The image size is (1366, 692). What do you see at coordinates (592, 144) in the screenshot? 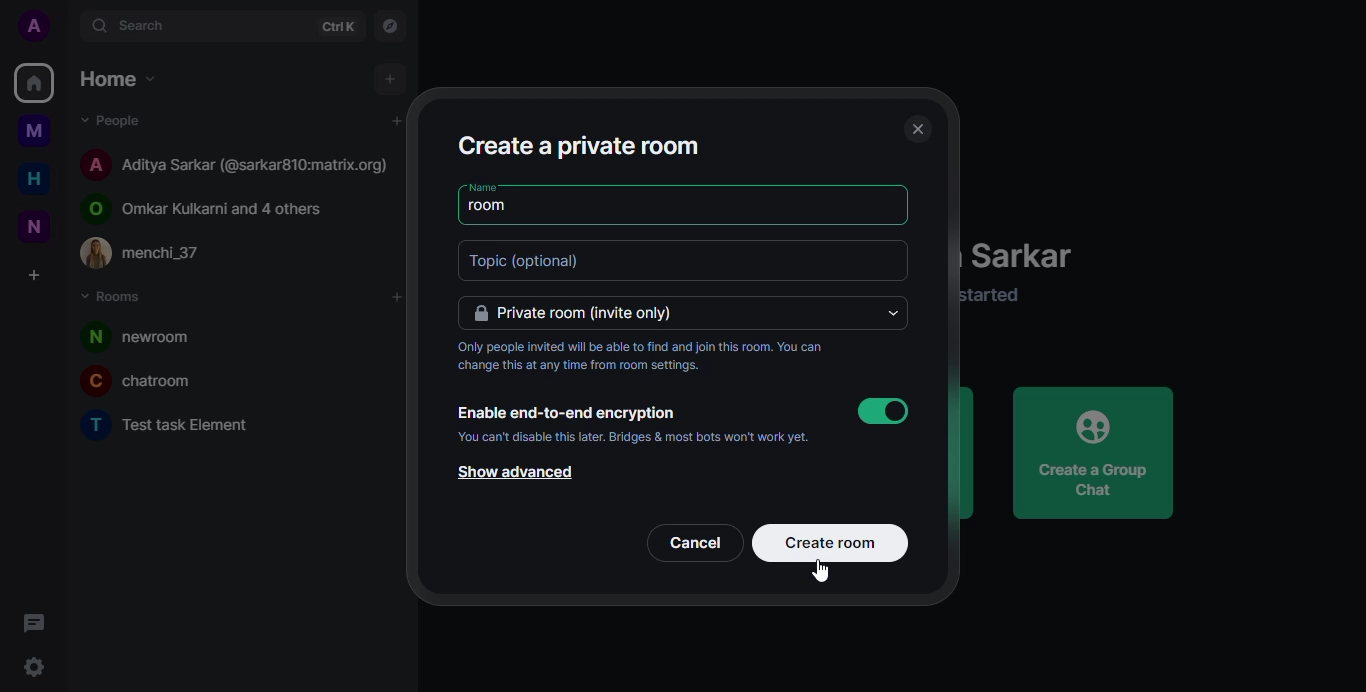
I see `create private room` at bounding box center [592, 144].